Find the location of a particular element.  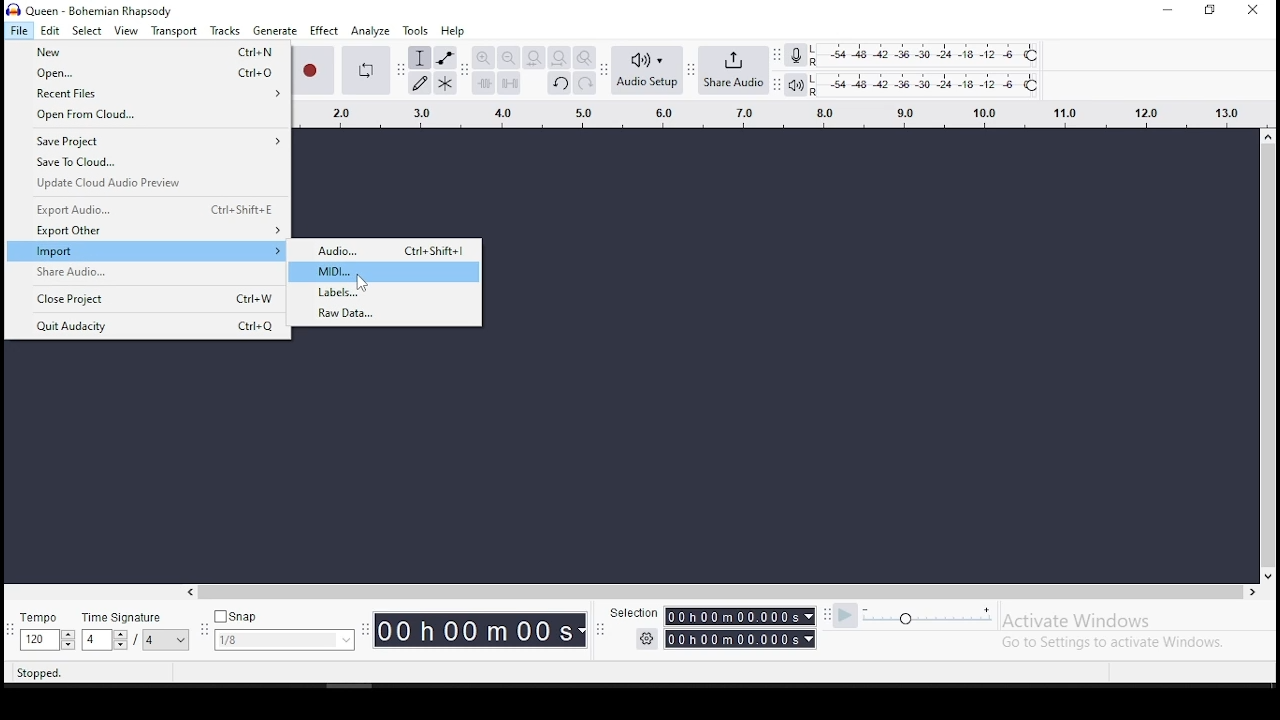

file is located at coordinates (19, 30).